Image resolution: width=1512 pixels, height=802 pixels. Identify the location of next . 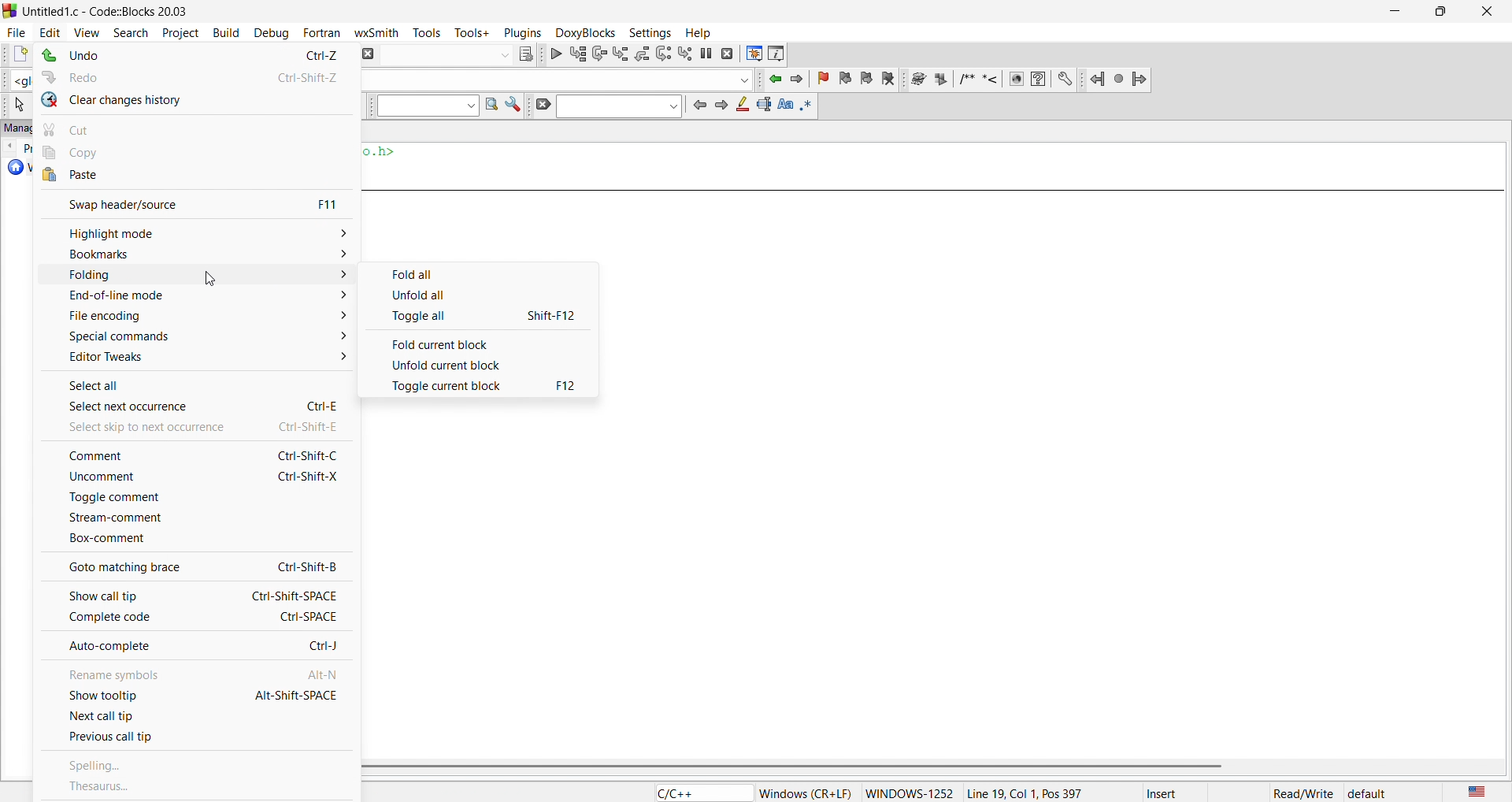
(720, 104).